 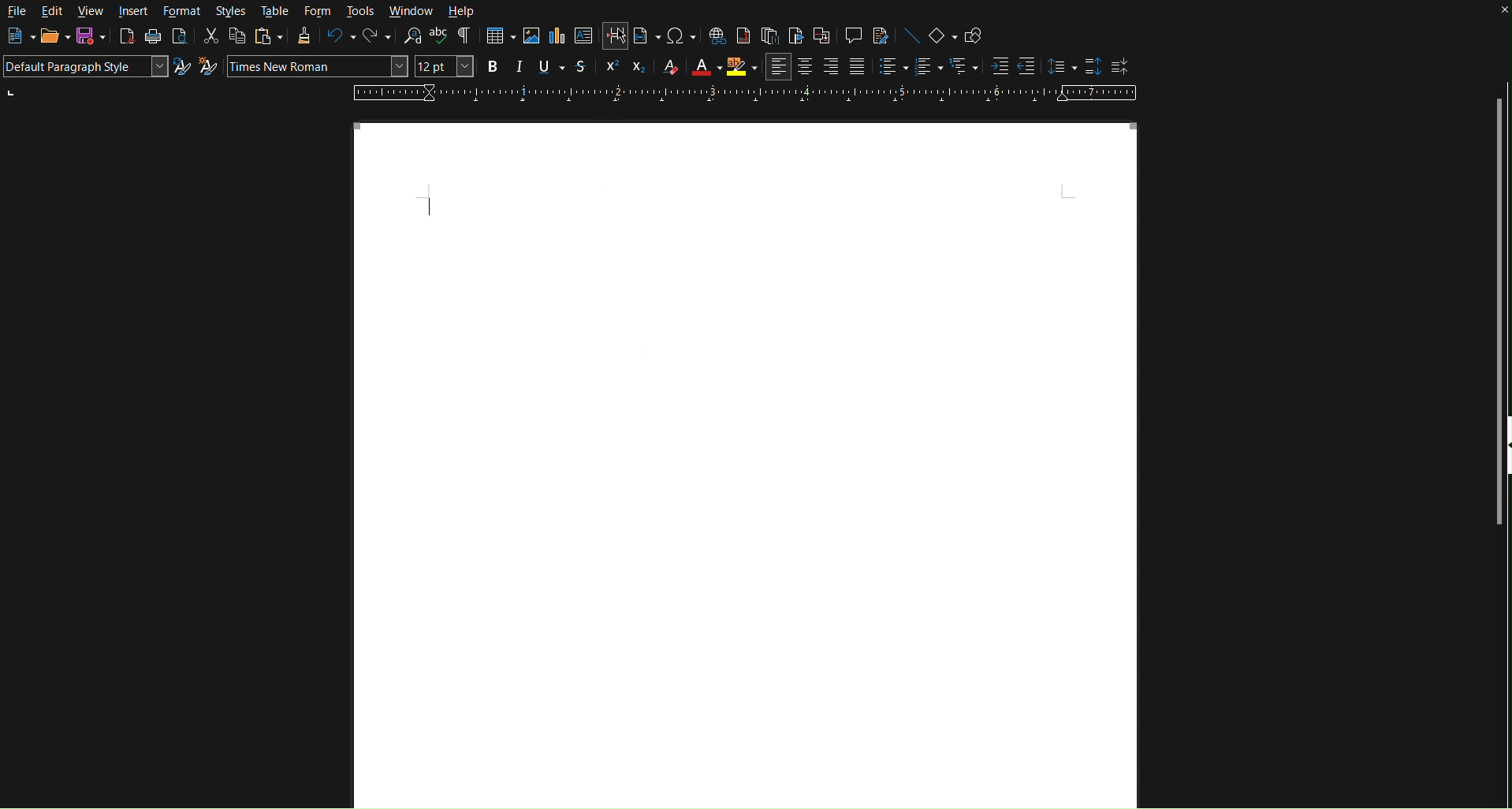 I want to click on Align Center, so click(x=806, y=67).